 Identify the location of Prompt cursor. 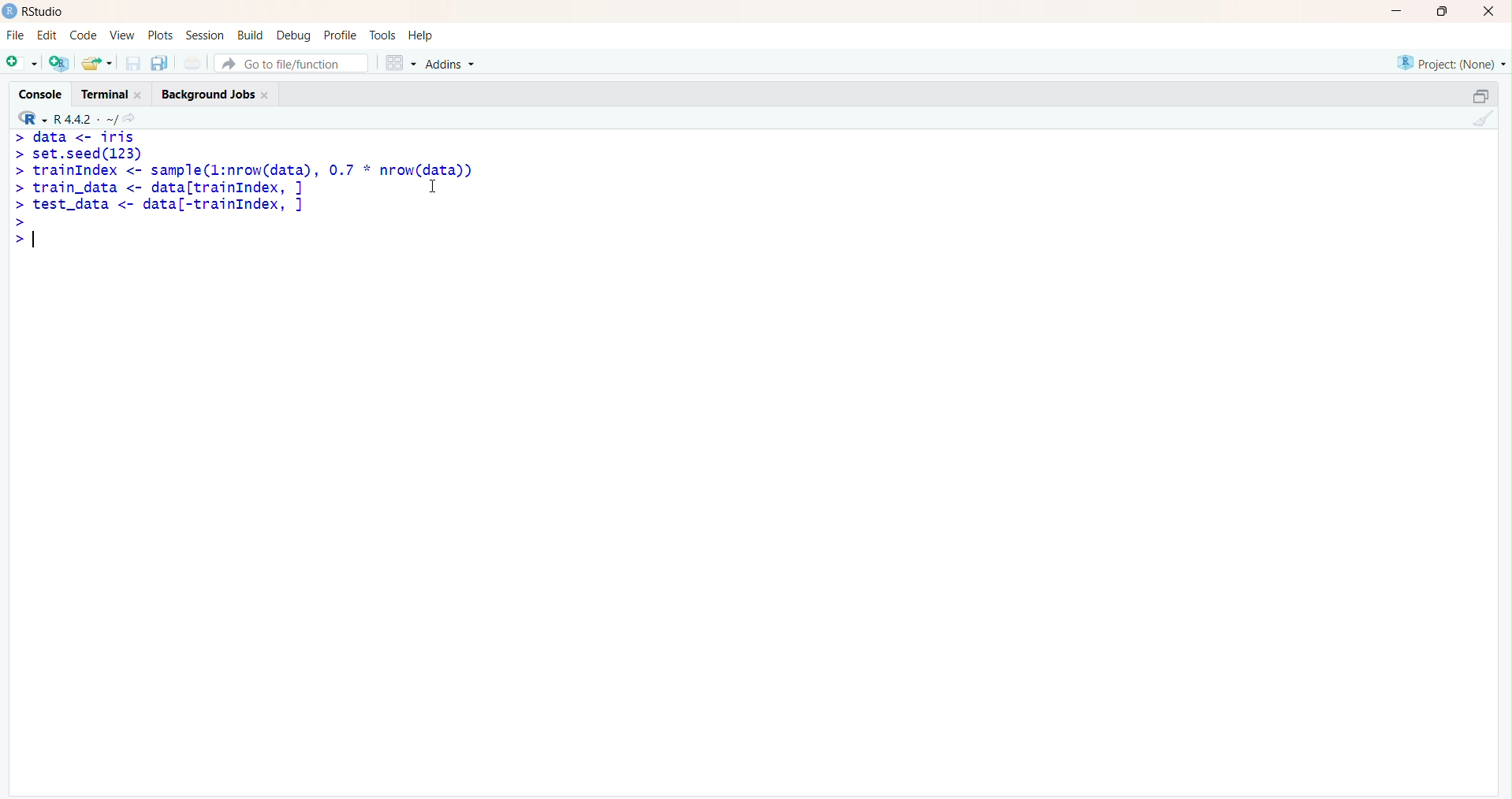
(21, 221).